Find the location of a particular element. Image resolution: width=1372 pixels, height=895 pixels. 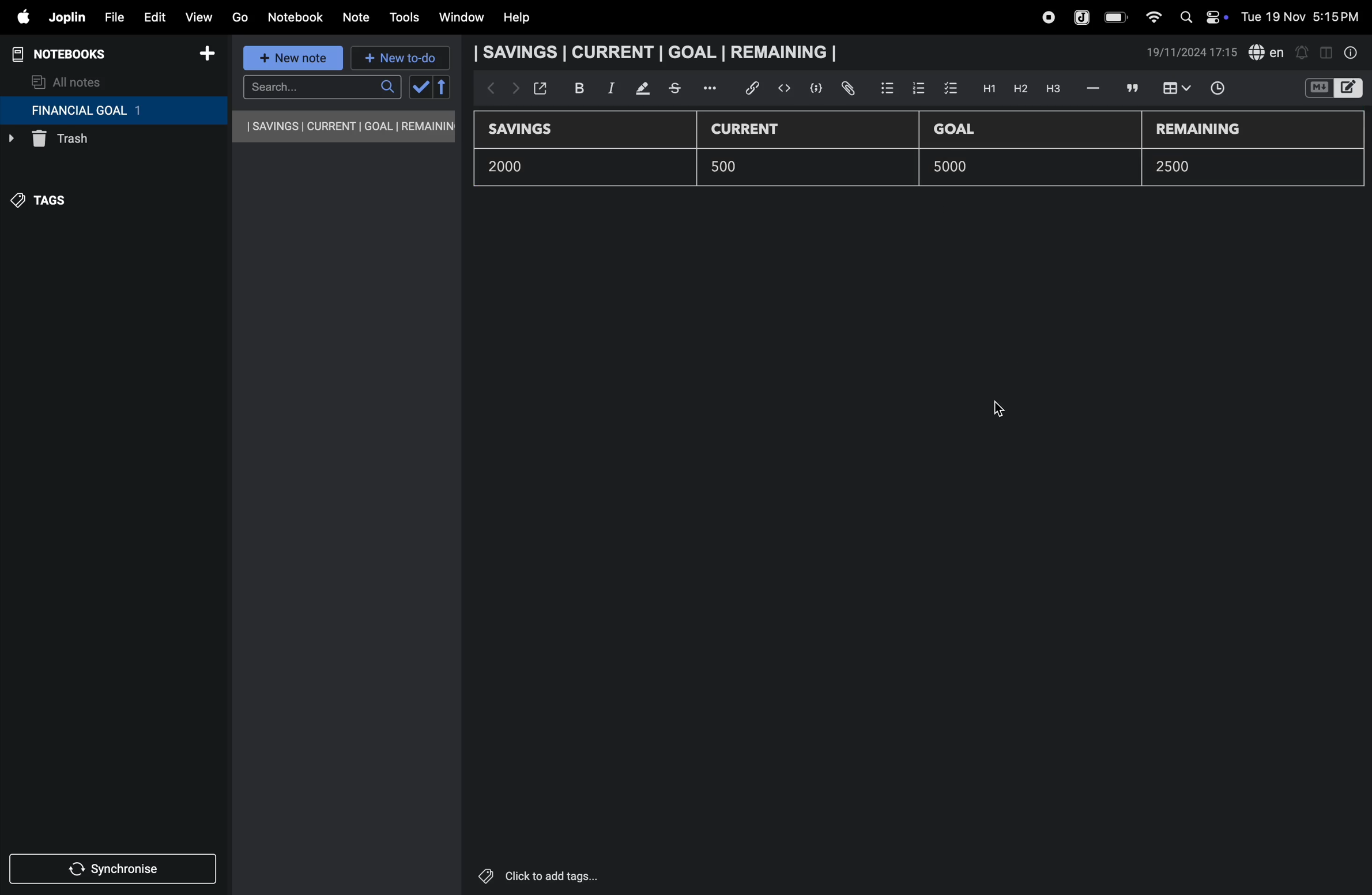

go is located at coordinates (240, 16).